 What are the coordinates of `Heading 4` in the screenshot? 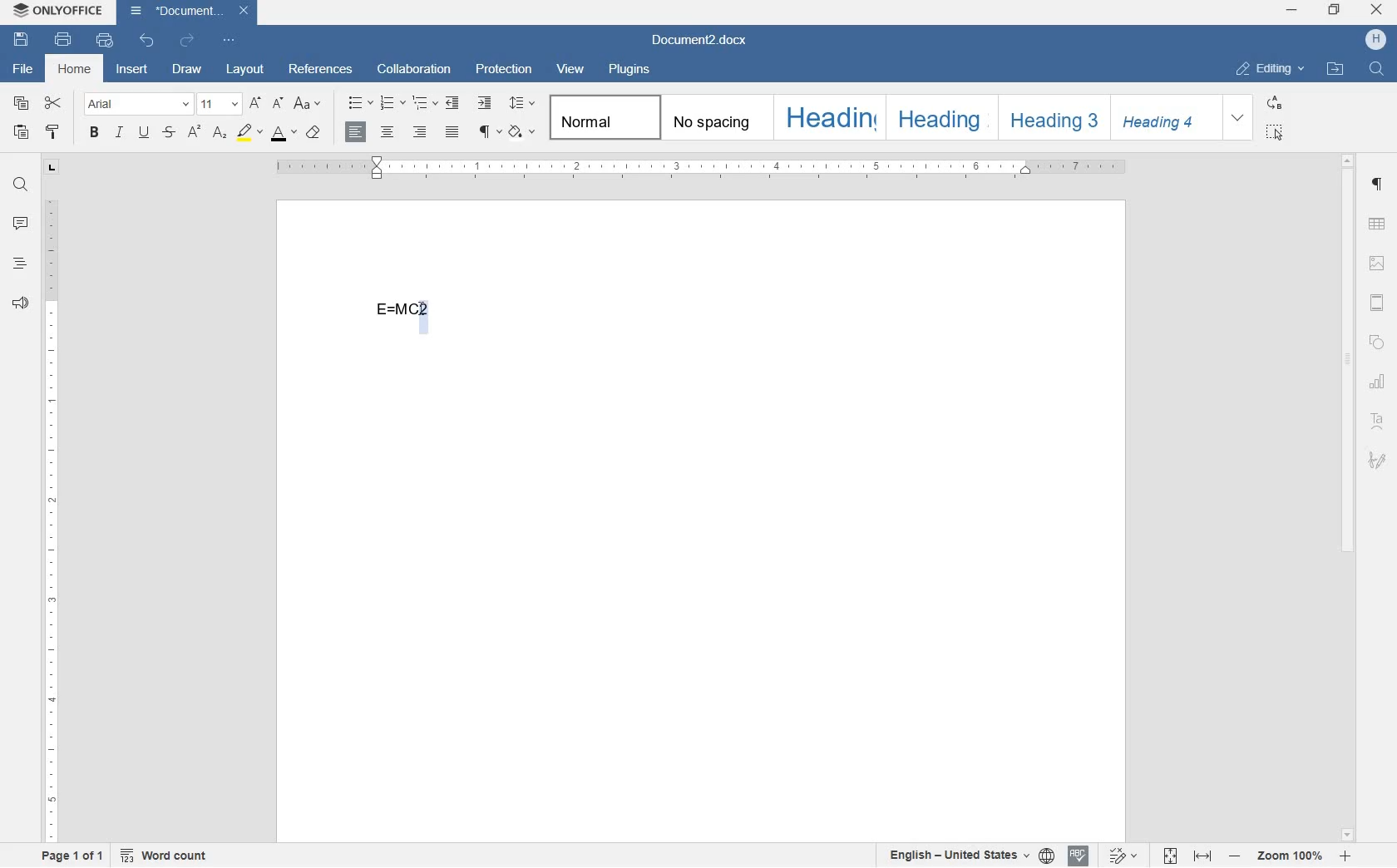 It's located at (1158, 118).